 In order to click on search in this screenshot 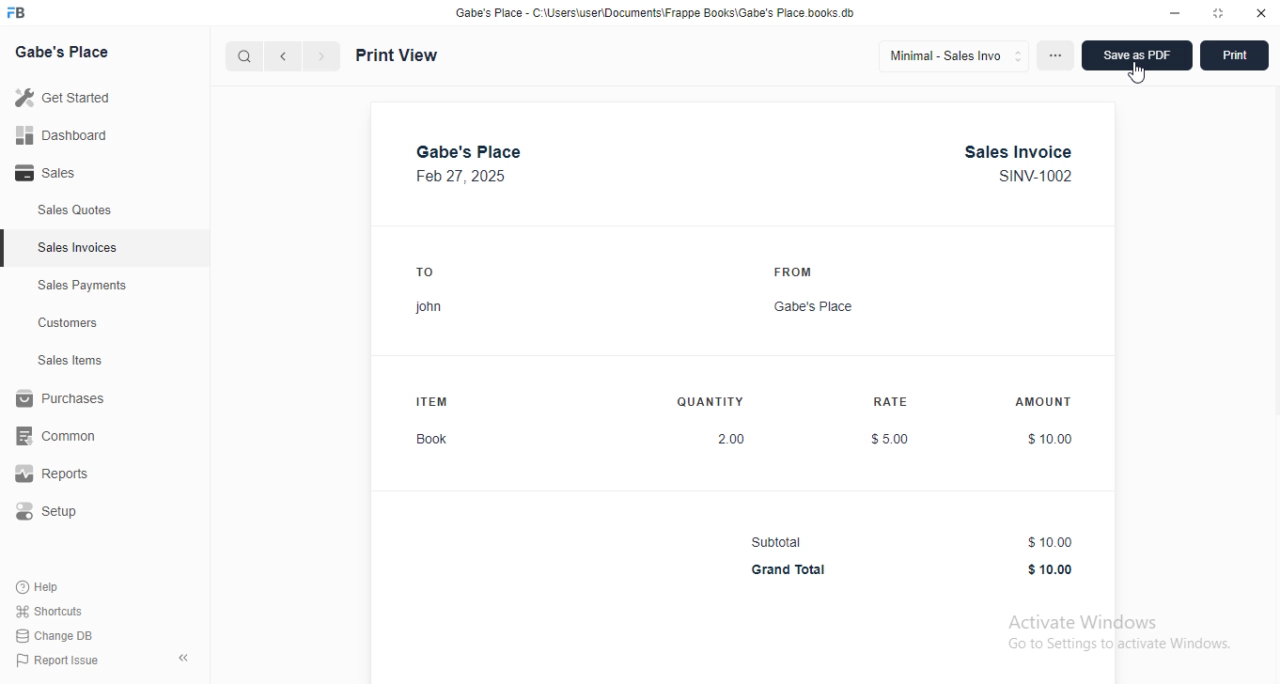, I will do `click(244, 56)`.